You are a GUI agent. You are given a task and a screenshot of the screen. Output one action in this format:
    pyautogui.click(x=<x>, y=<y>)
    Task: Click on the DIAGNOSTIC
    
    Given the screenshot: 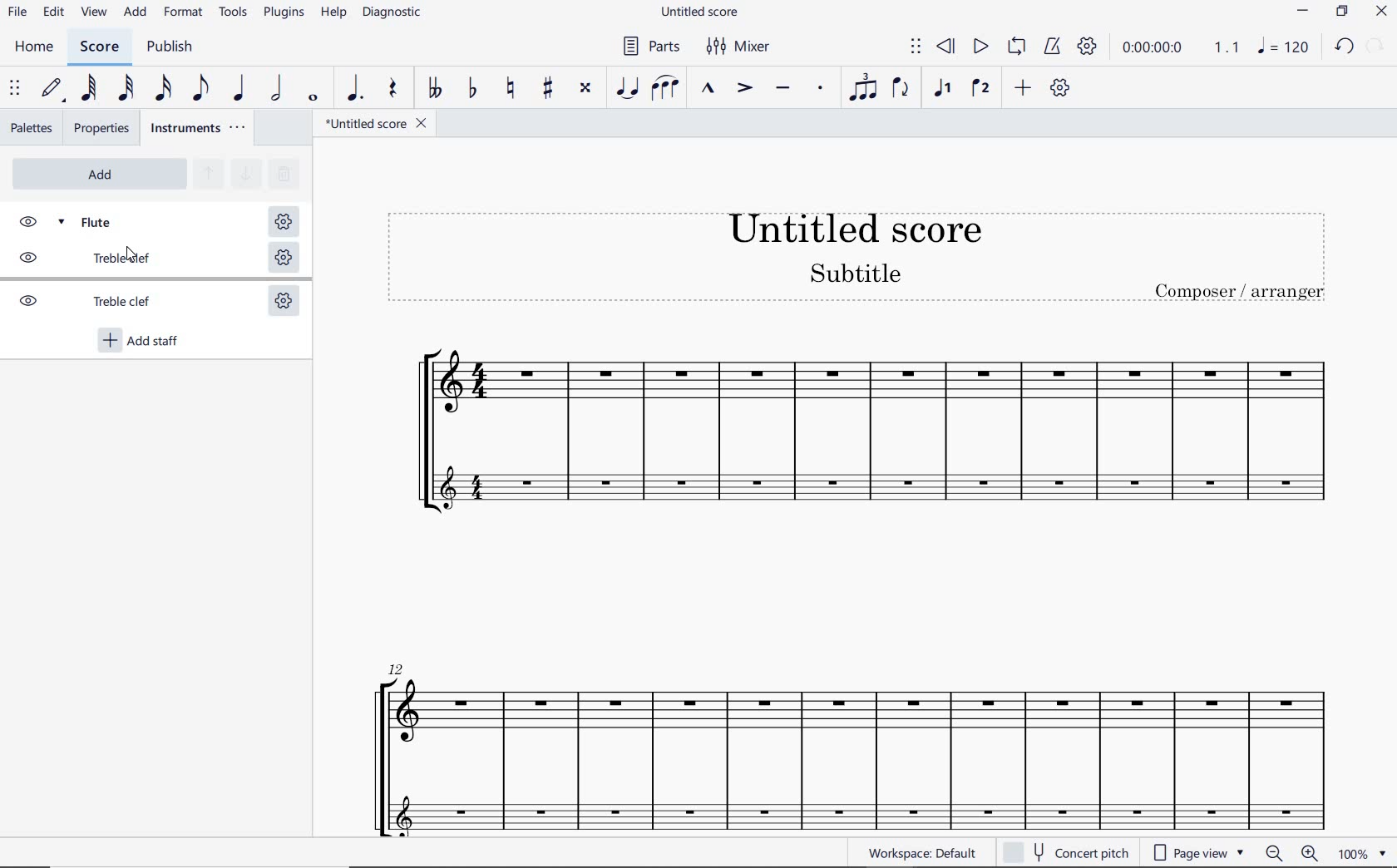 What is the action you would take?
    pyautogui.click(x=393, y=13)
    